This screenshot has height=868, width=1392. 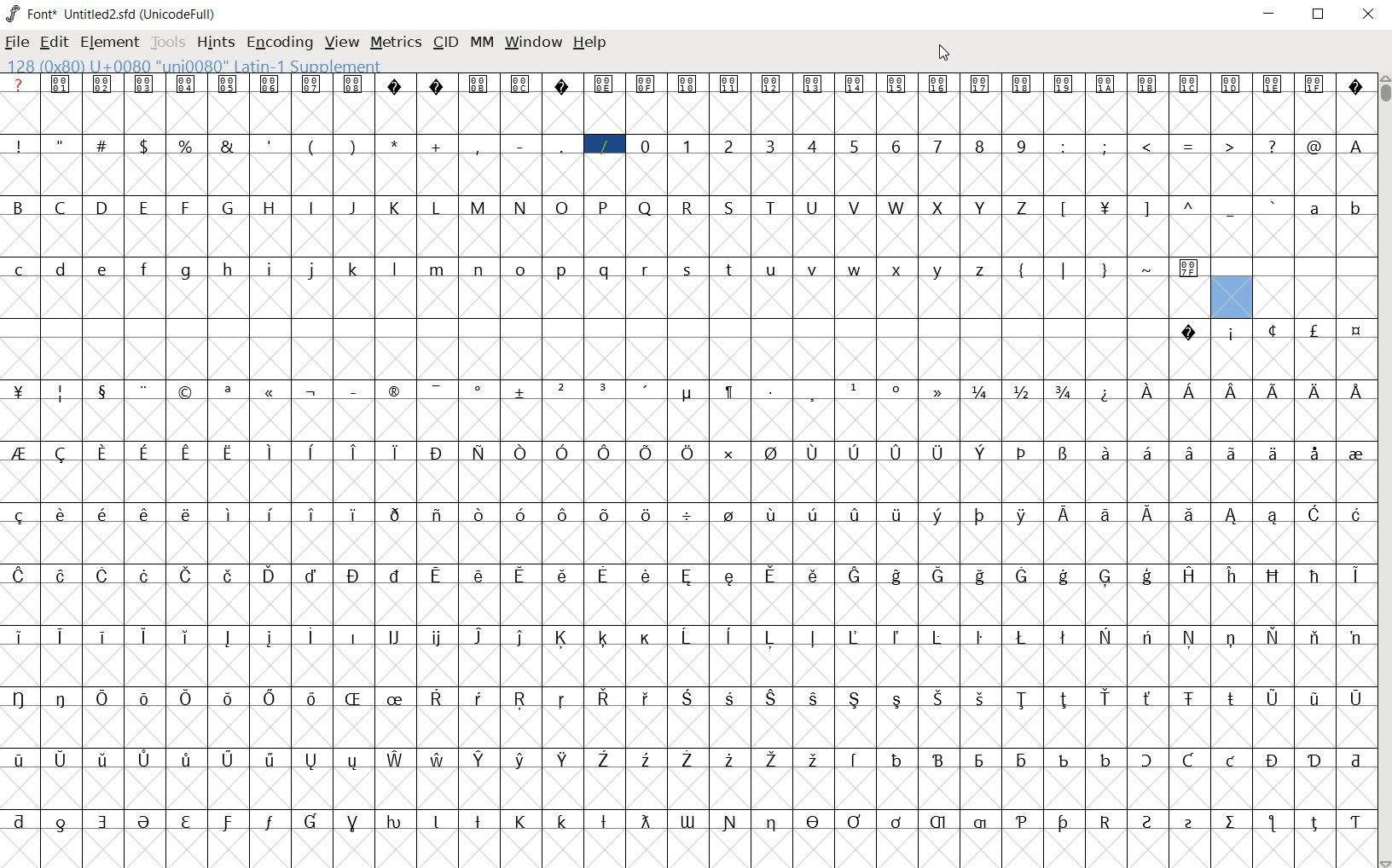 I want to click on glyph, so click(x=270, y=698).